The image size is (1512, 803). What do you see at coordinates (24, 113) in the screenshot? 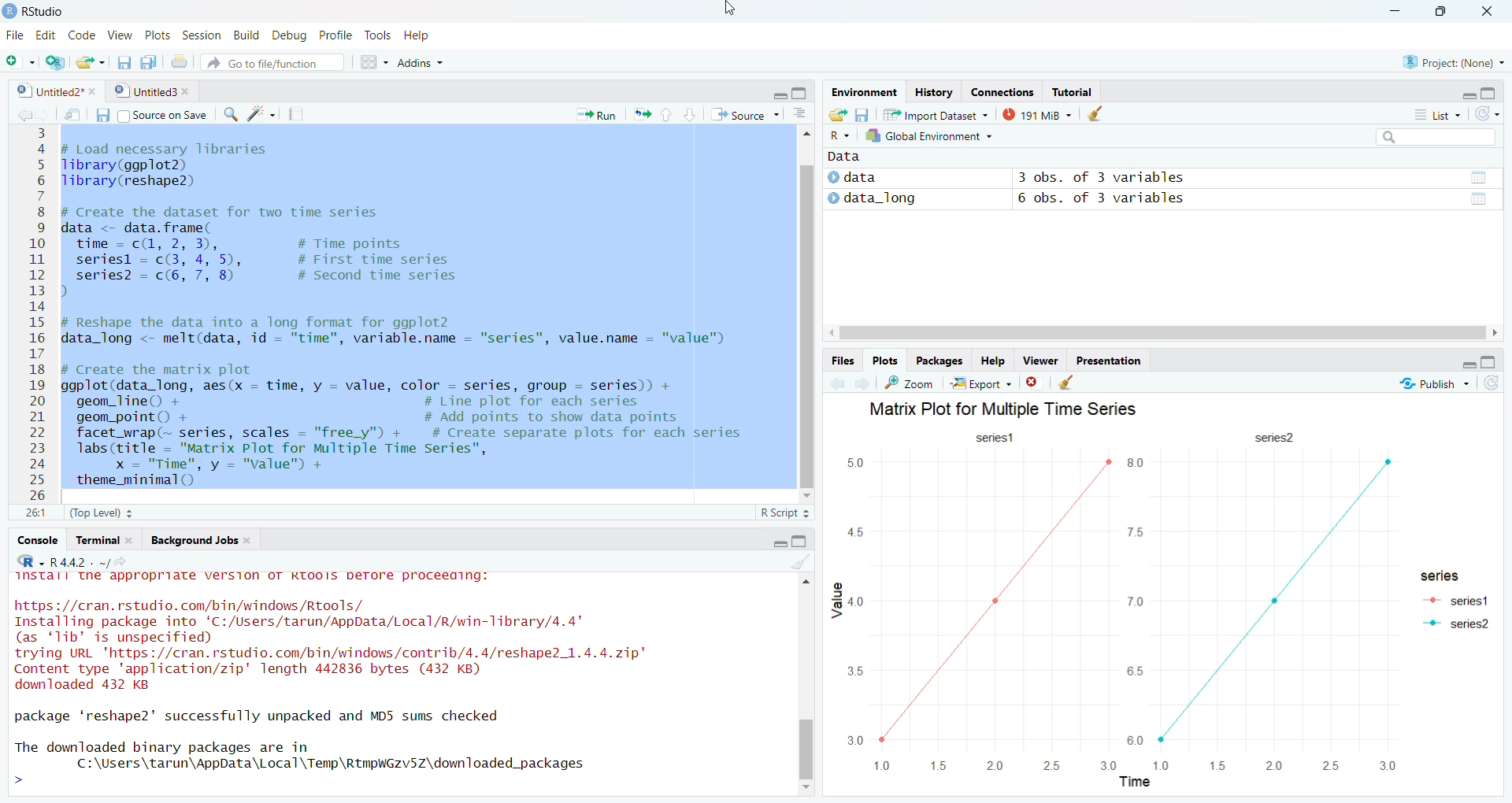
I see `move back` at bounding box center [24, 113].